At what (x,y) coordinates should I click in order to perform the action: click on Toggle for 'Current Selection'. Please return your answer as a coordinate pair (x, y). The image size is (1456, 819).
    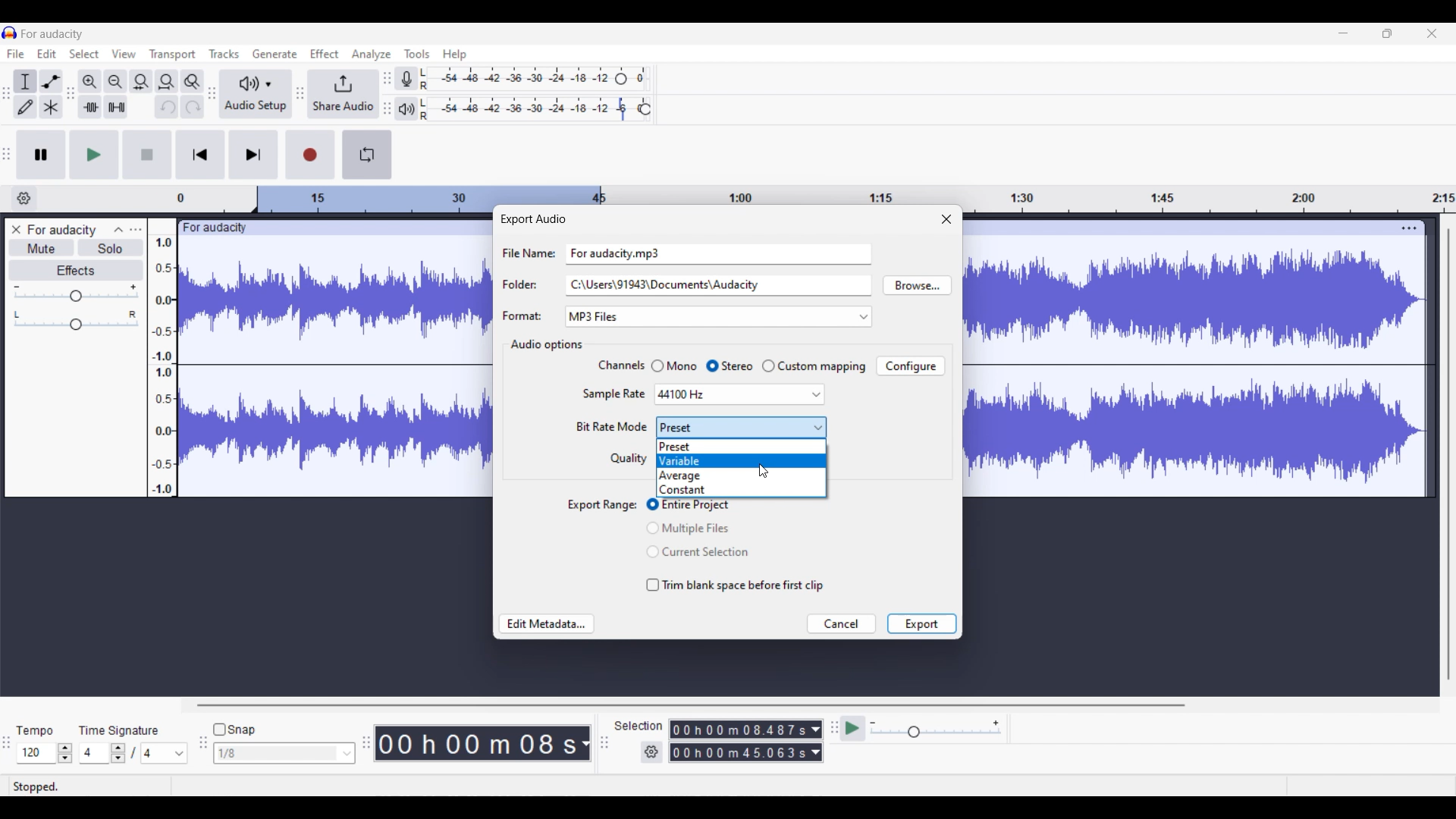
    Looking at the image, I should click on (698, 552).